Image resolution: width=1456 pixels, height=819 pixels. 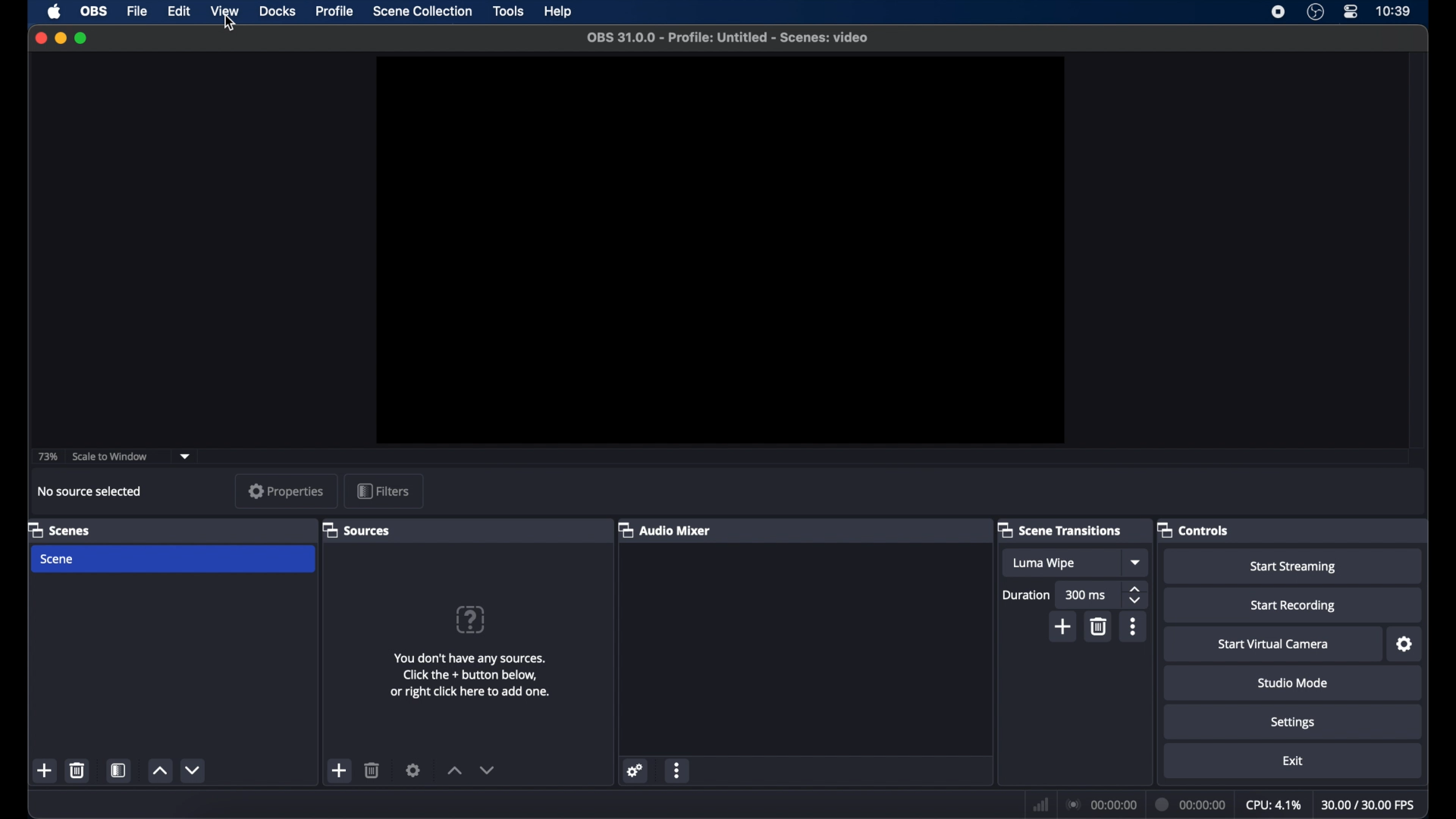 I want to click on You don't have any sources.
Click the + button below,
or right click here to add one., so click(x=469, y=677).